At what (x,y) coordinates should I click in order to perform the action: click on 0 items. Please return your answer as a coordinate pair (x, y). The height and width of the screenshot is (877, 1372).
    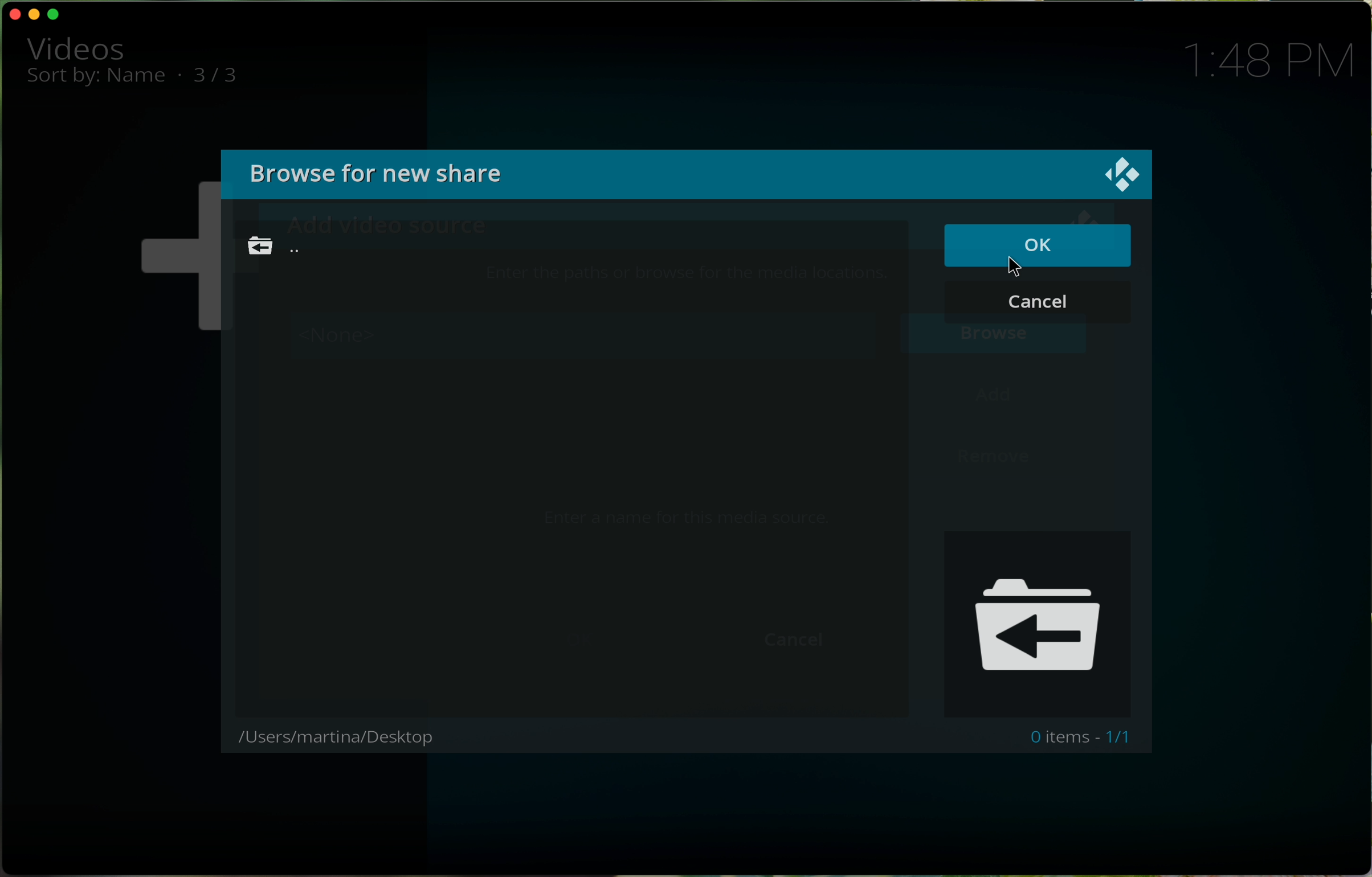
    Looking at the image, I should click on (1057, 739).